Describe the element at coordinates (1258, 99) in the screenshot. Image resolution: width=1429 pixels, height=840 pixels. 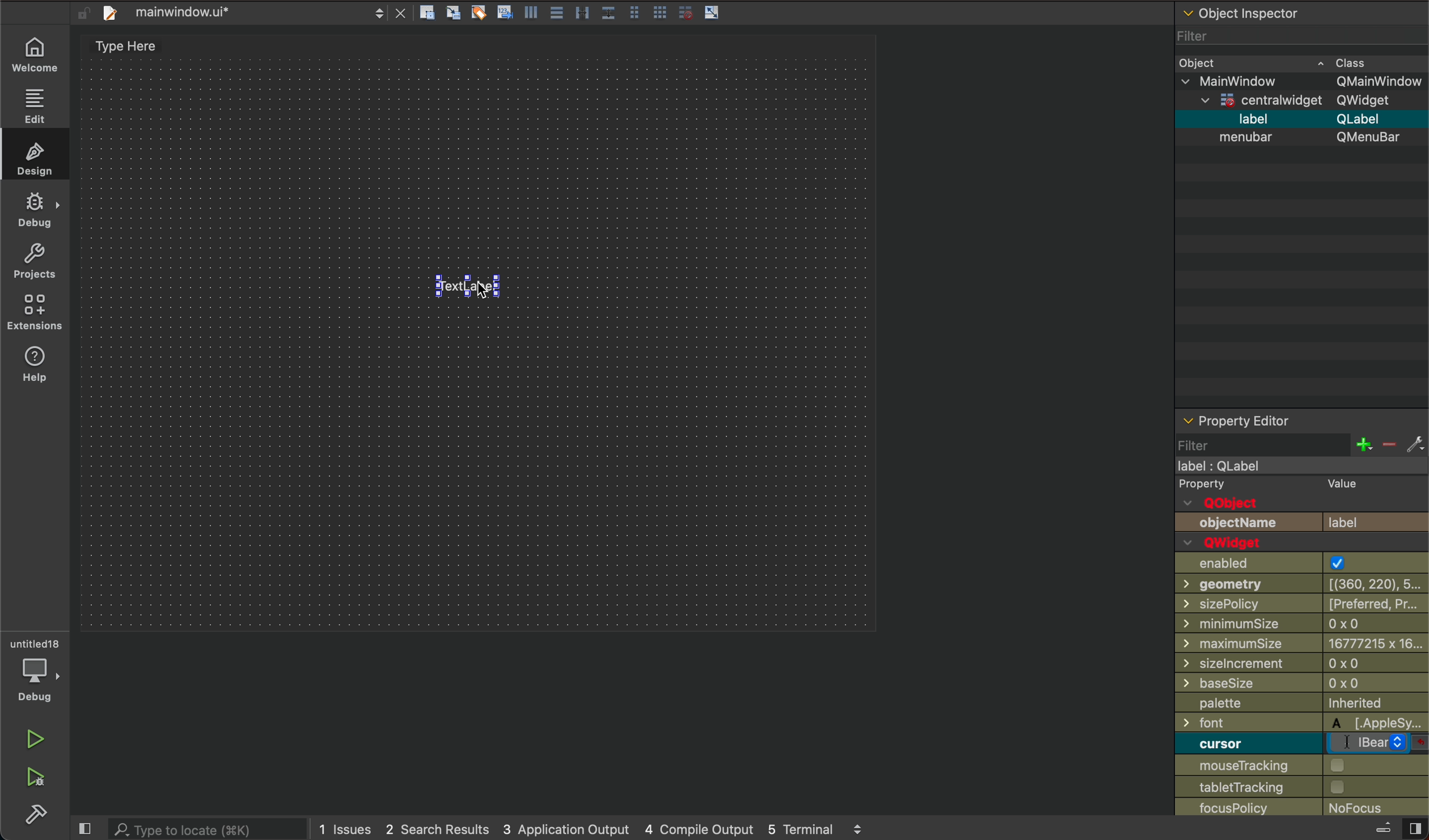
I see `centrawidget` at that location.